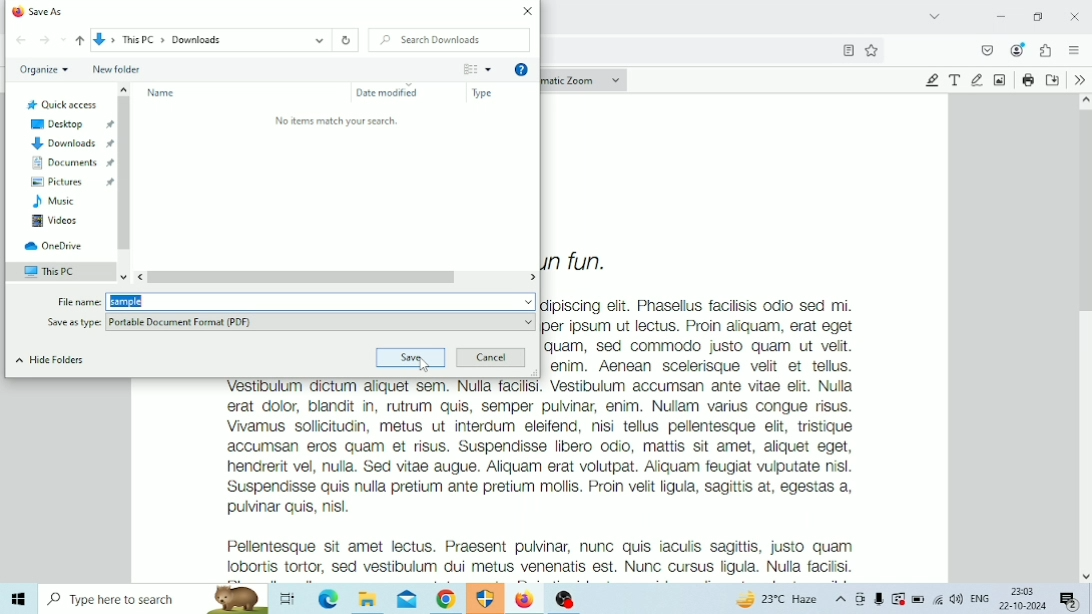  What do you see at coordinates (347, 40) in the screenshot?
I see `Refresh "Downloads"` at bounding box center [347, 40].